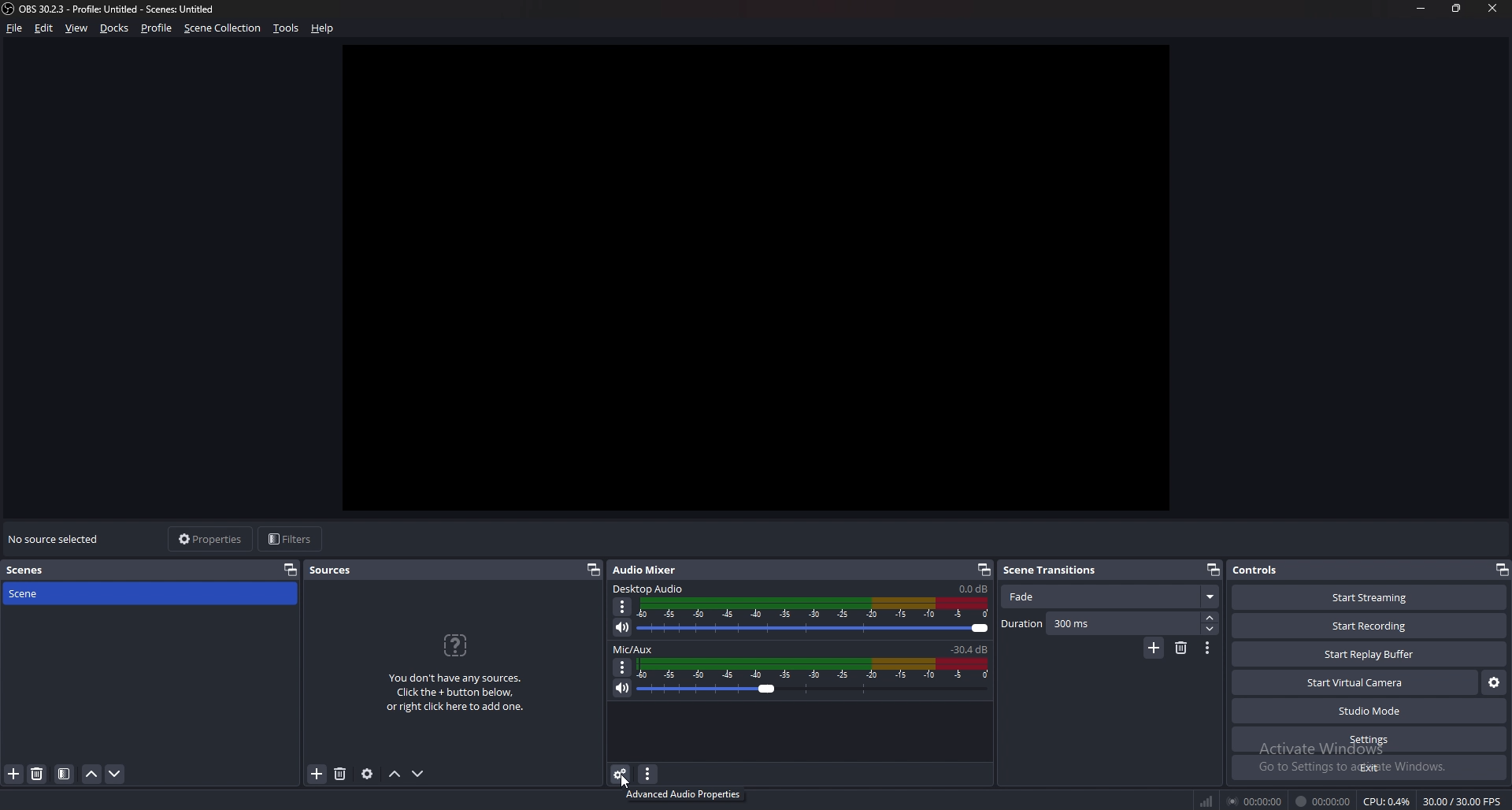  What do you see at coordinates (685, 795) in the screenshot?
I see `advanced audio properties` at bounding box center [685, 795].